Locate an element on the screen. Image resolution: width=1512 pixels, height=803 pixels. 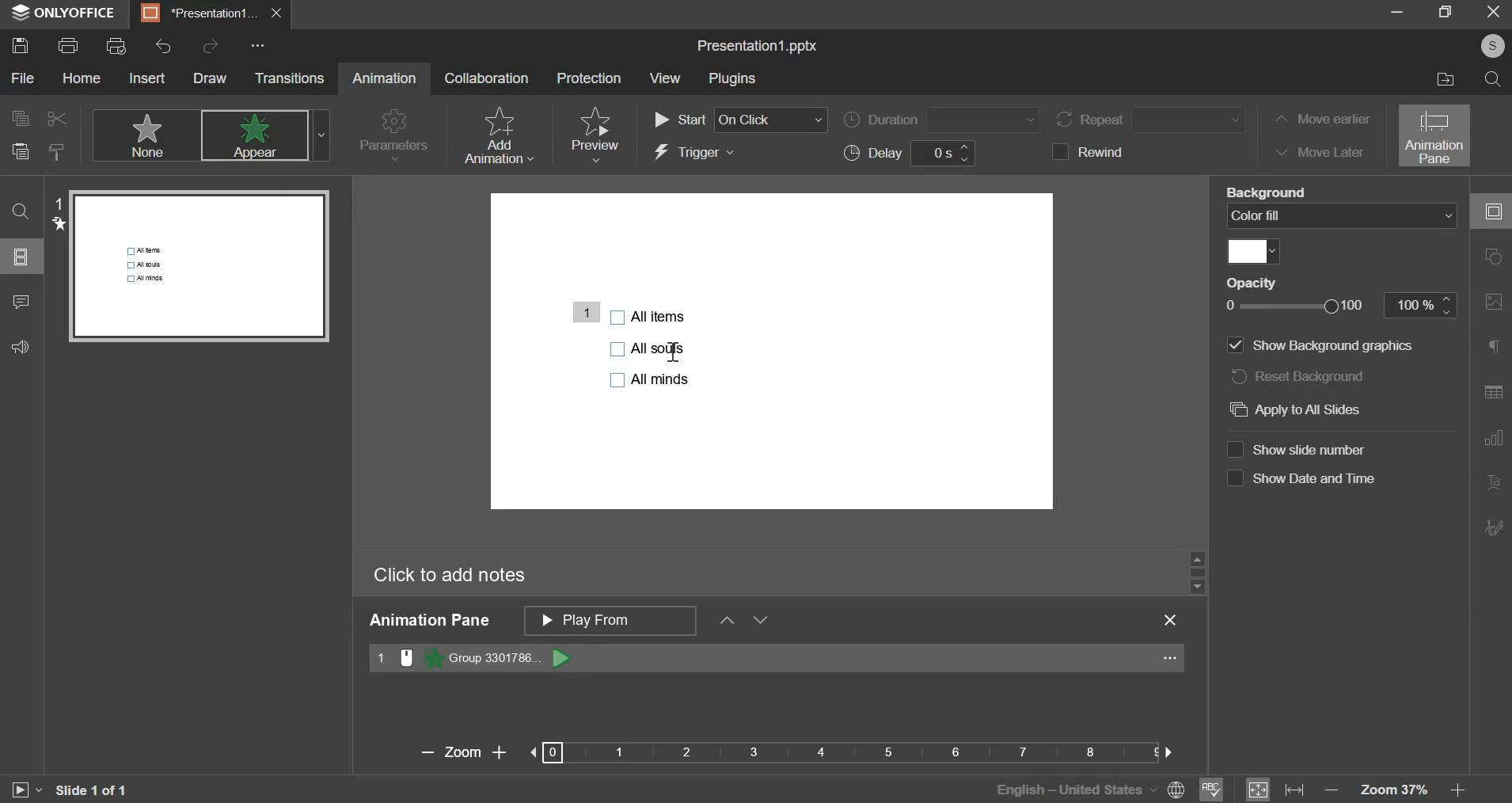
animation pane is located at coordinates (664, 622).